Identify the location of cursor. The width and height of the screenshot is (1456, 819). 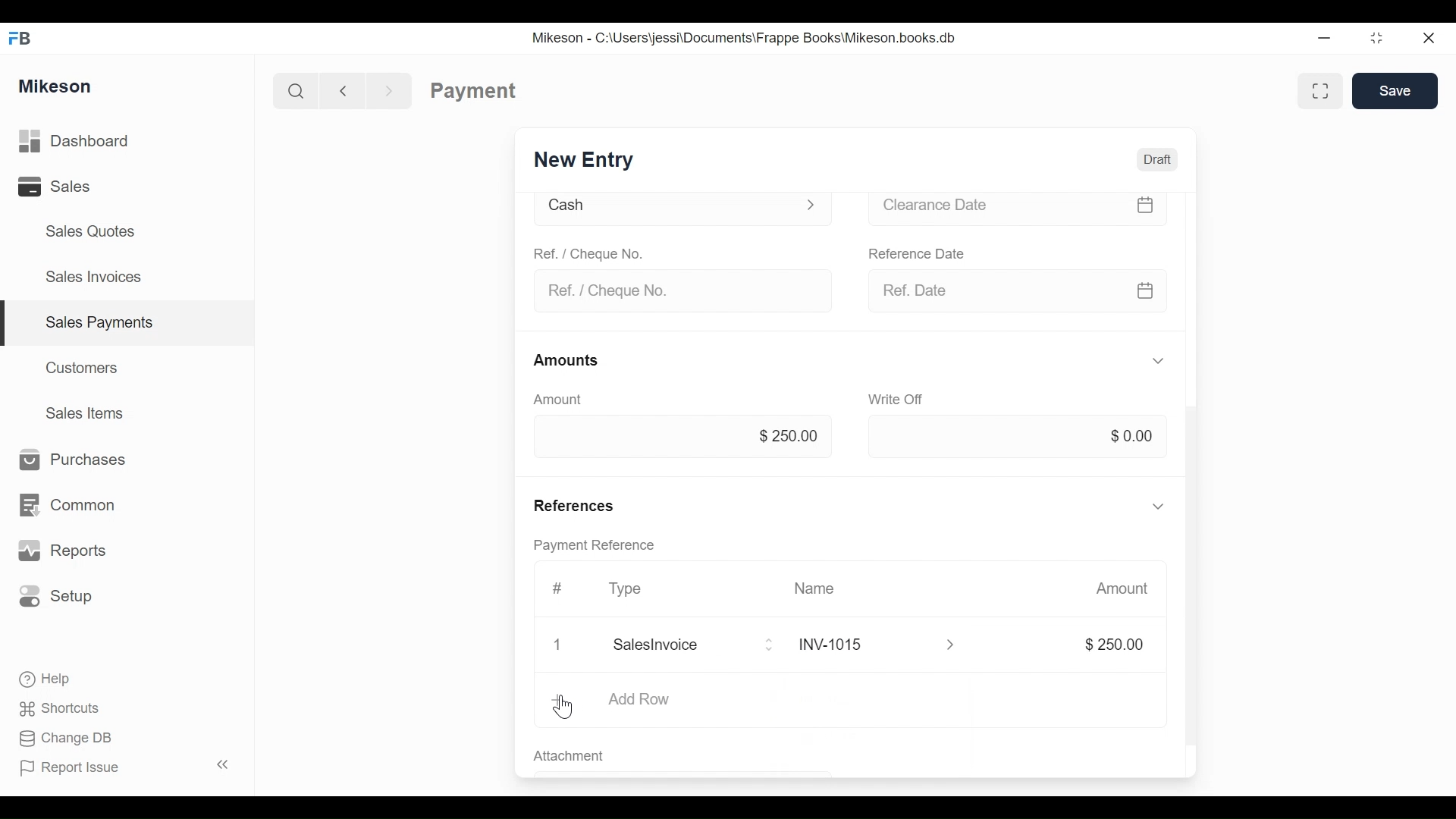
(566, 706).